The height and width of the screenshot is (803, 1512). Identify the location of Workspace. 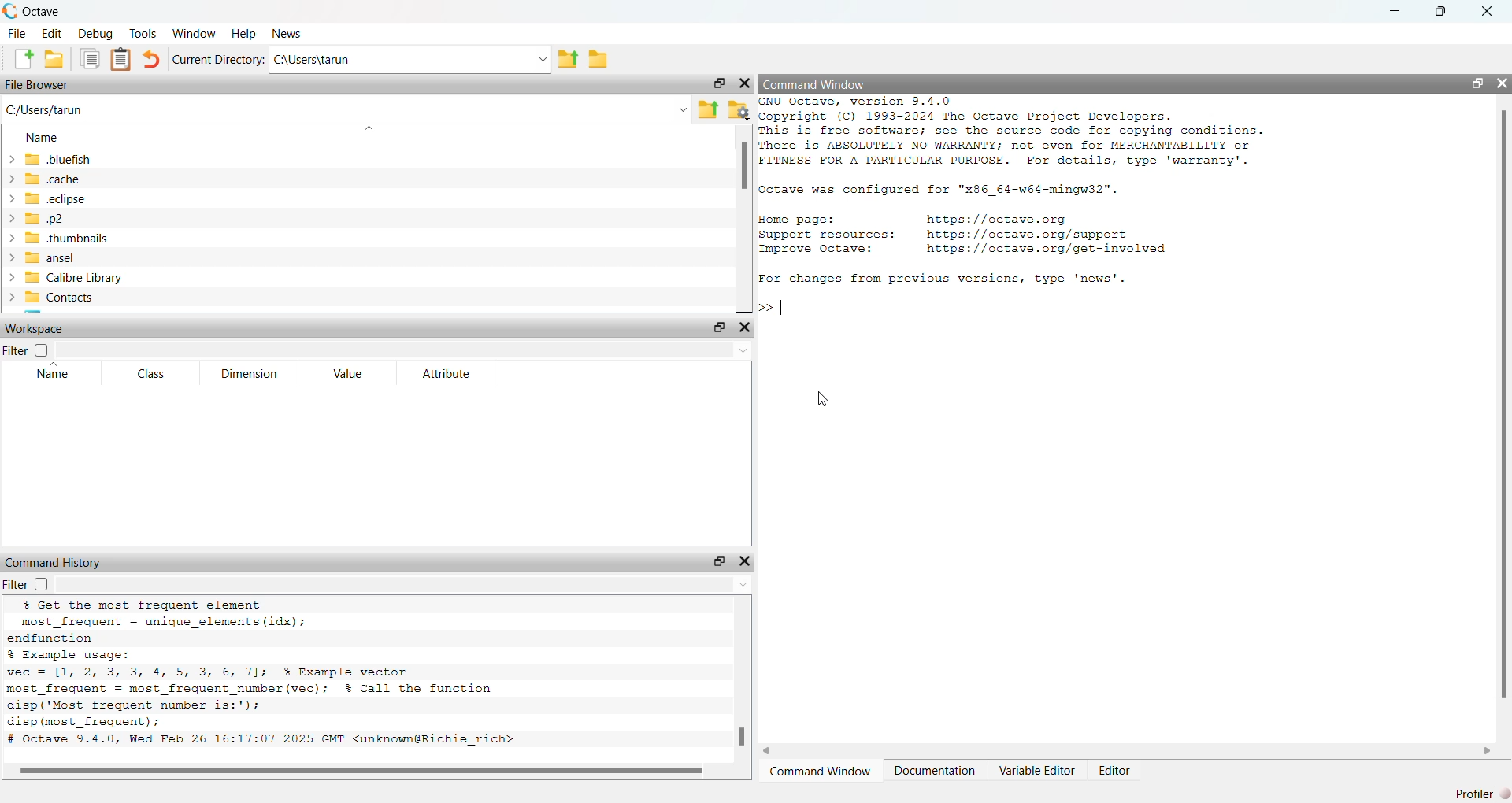
(35, 328).